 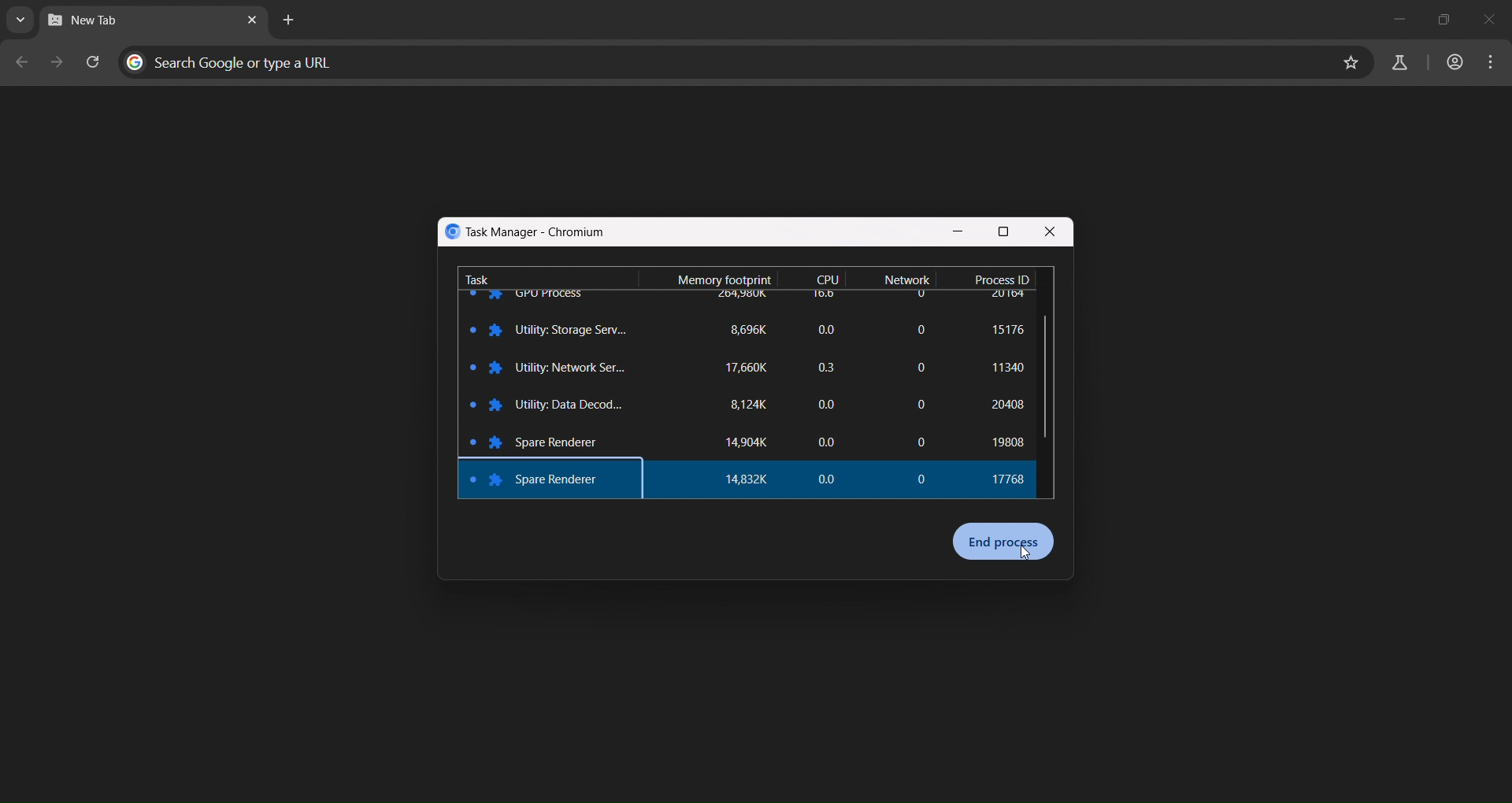 I want to click on 15176 , so click(x=1007, y=333).